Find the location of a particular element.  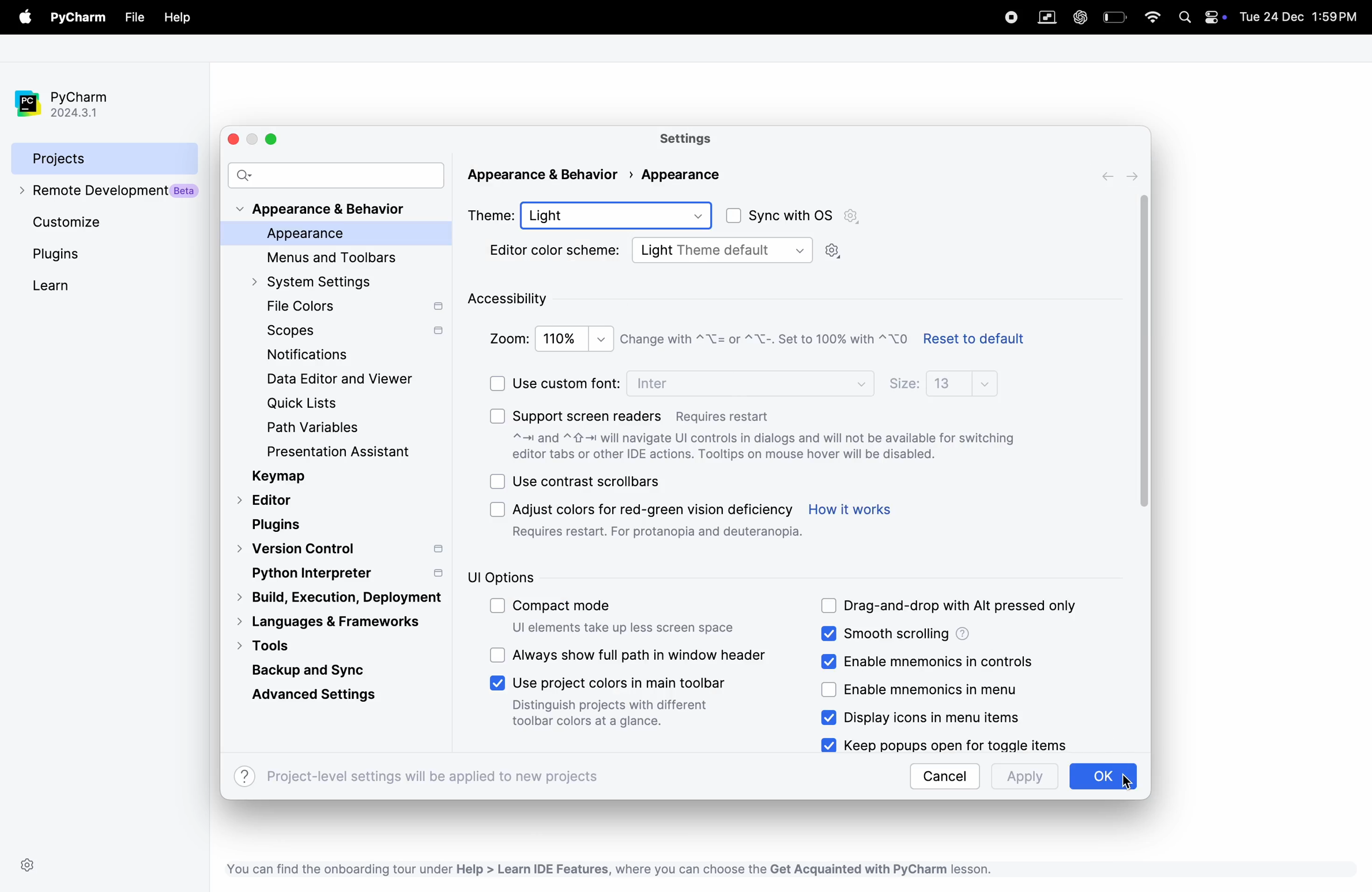

Light is located at coordinates (655, 250).